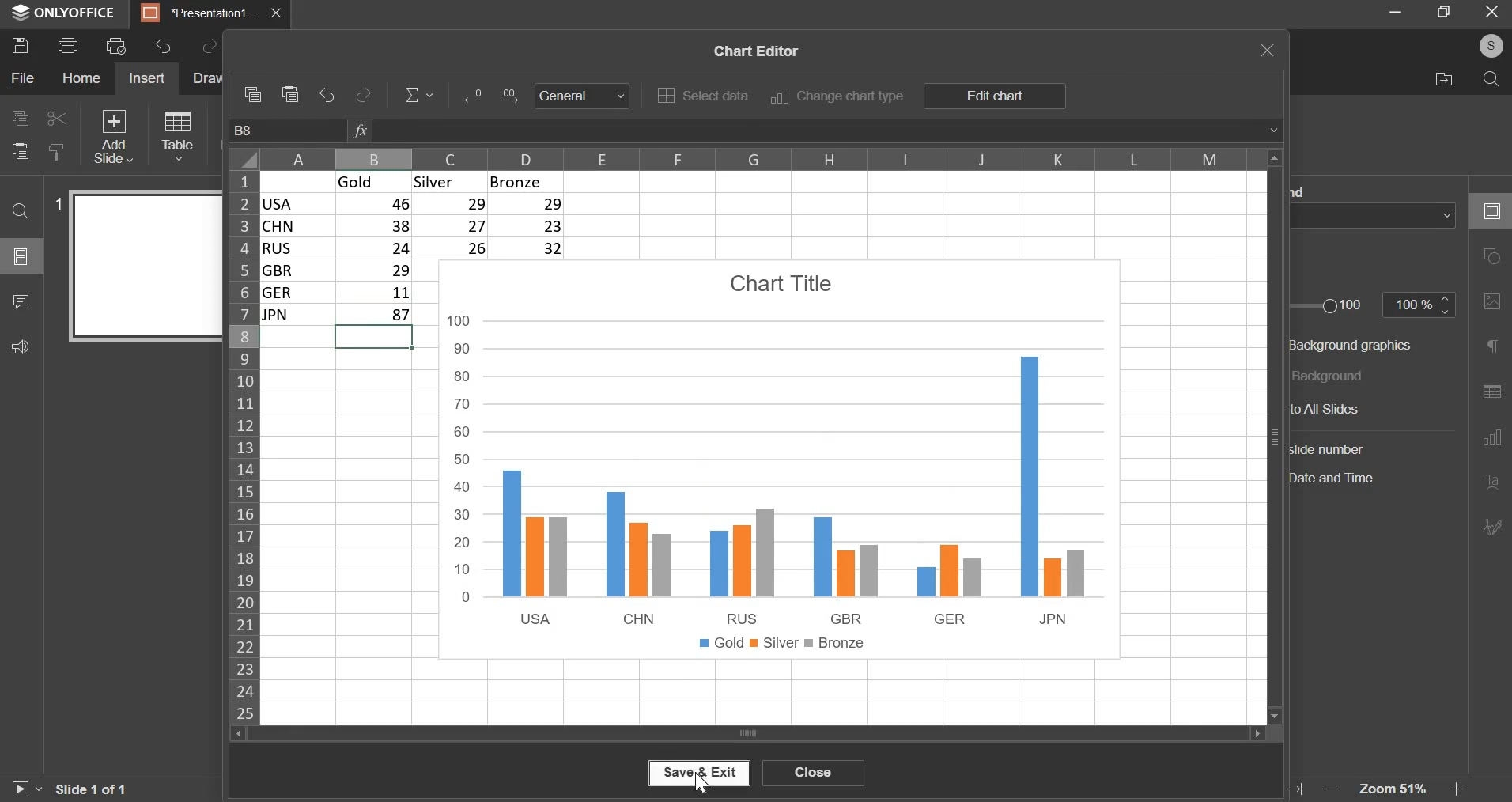 The width and height of the screenshot is (1512, 802). I want to click on zoom level, so click(1392, 789).